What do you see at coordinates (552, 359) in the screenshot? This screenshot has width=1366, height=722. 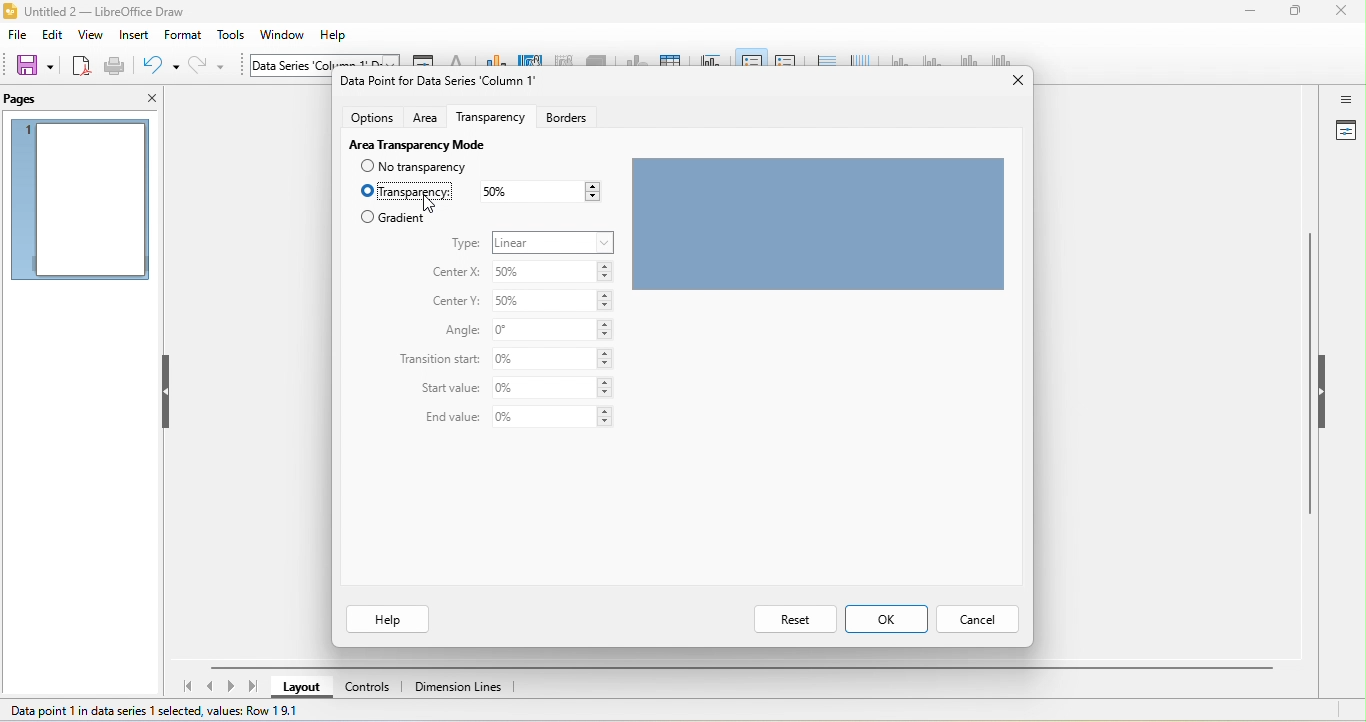 I see `transition start-0%` at bounding box center [552, 359].